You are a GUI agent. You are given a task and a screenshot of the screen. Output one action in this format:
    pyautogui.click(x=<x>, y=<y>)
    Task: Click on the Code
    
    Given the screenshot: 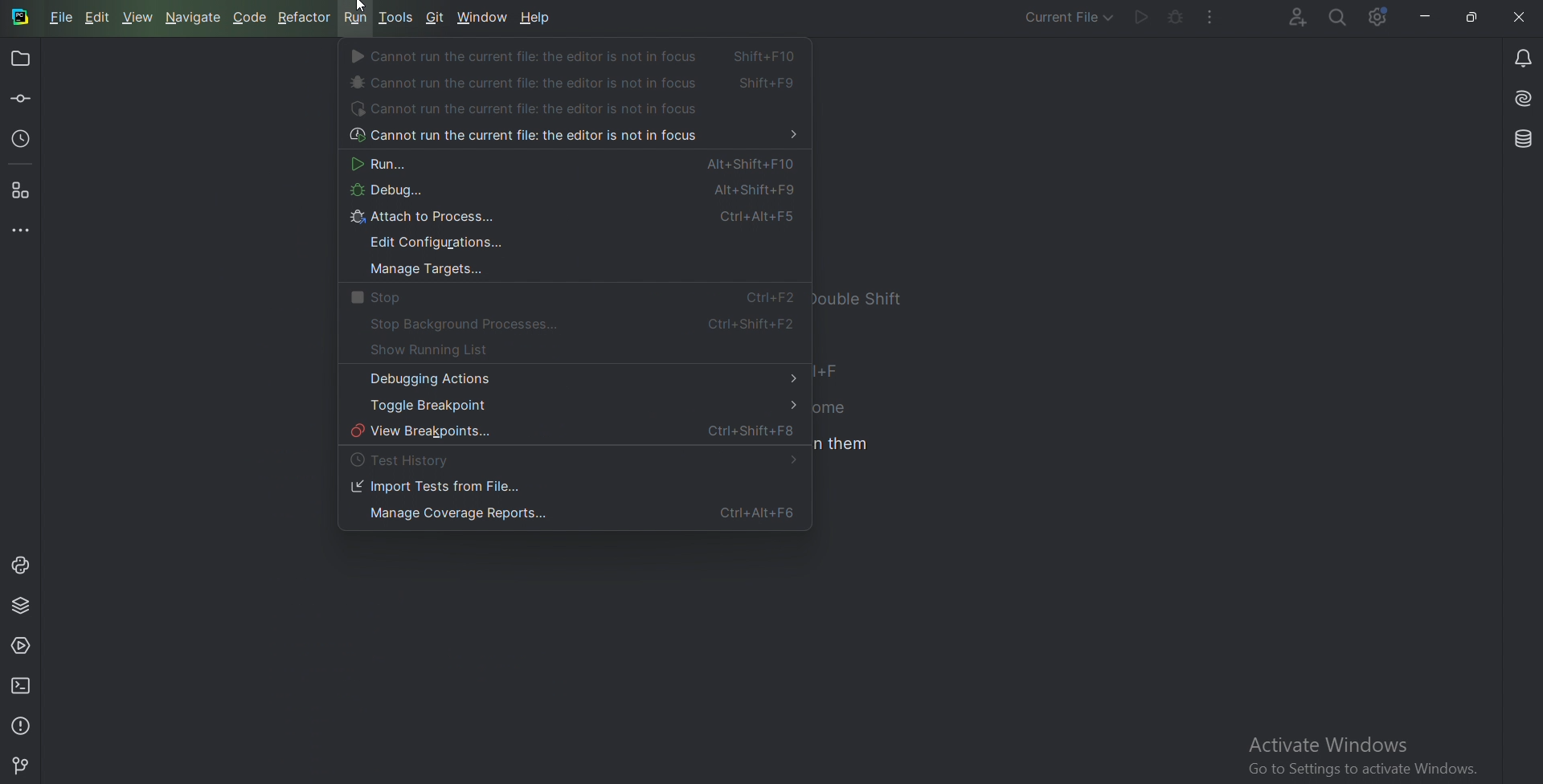 What is the action you would take?
    pyautogui.click(x=252, y=18)
    